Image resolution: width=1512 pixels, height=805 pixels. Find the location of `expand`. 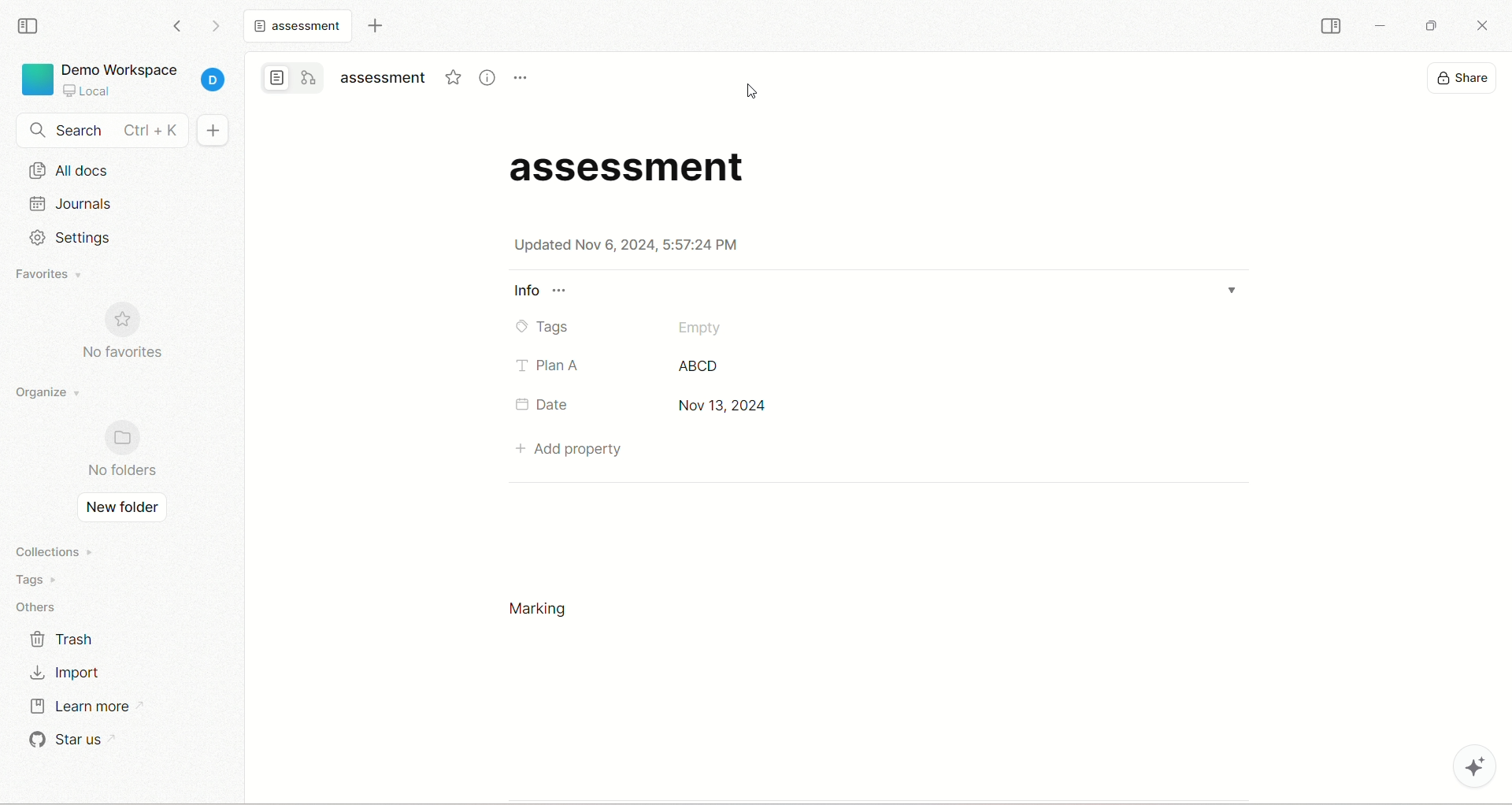

expand is located at coordinates (1230, 288).